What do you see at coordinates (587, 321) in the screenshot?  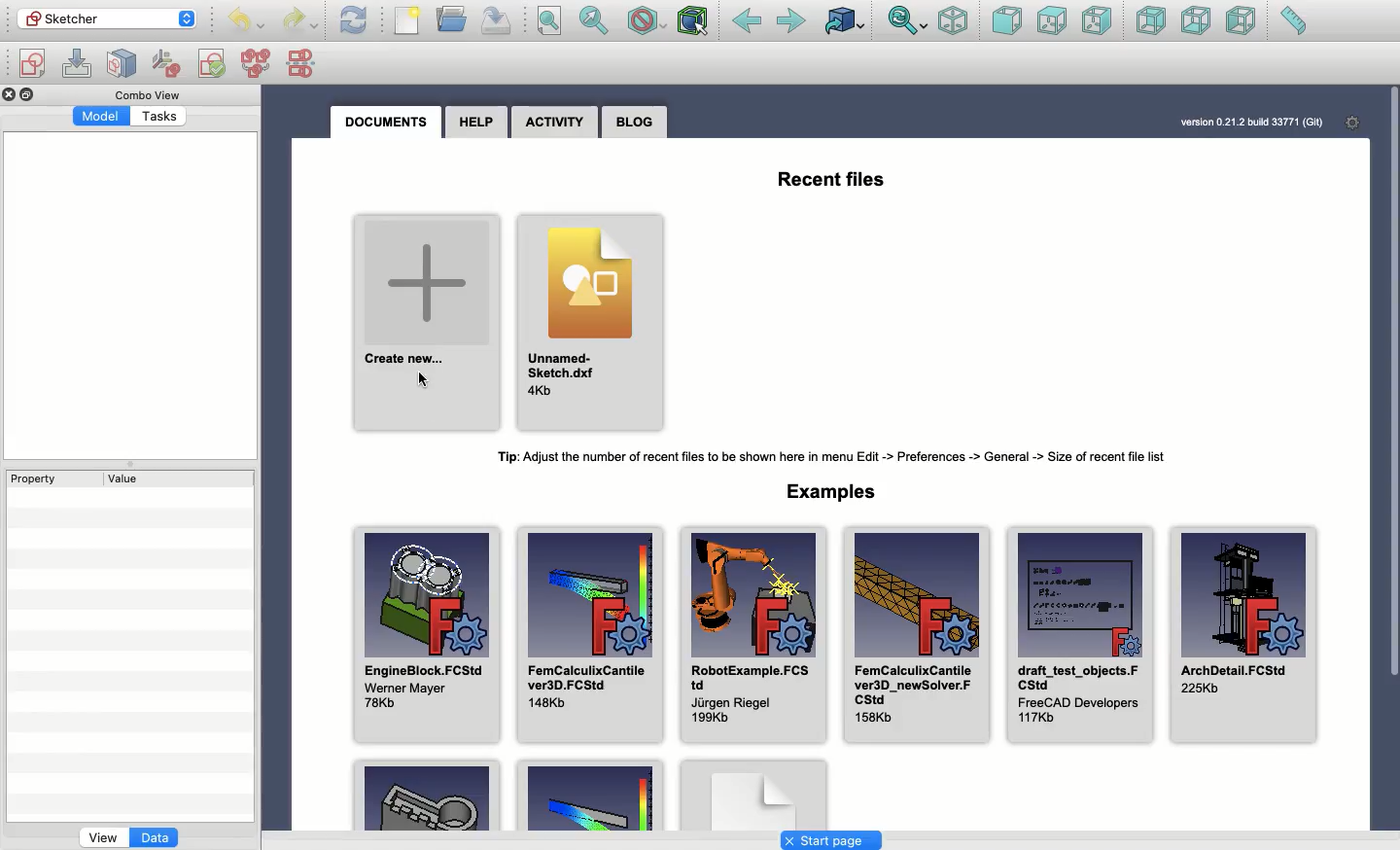 I see `Unnamed-sketch.dxf 4Kb` at bounding box center [587, 321].